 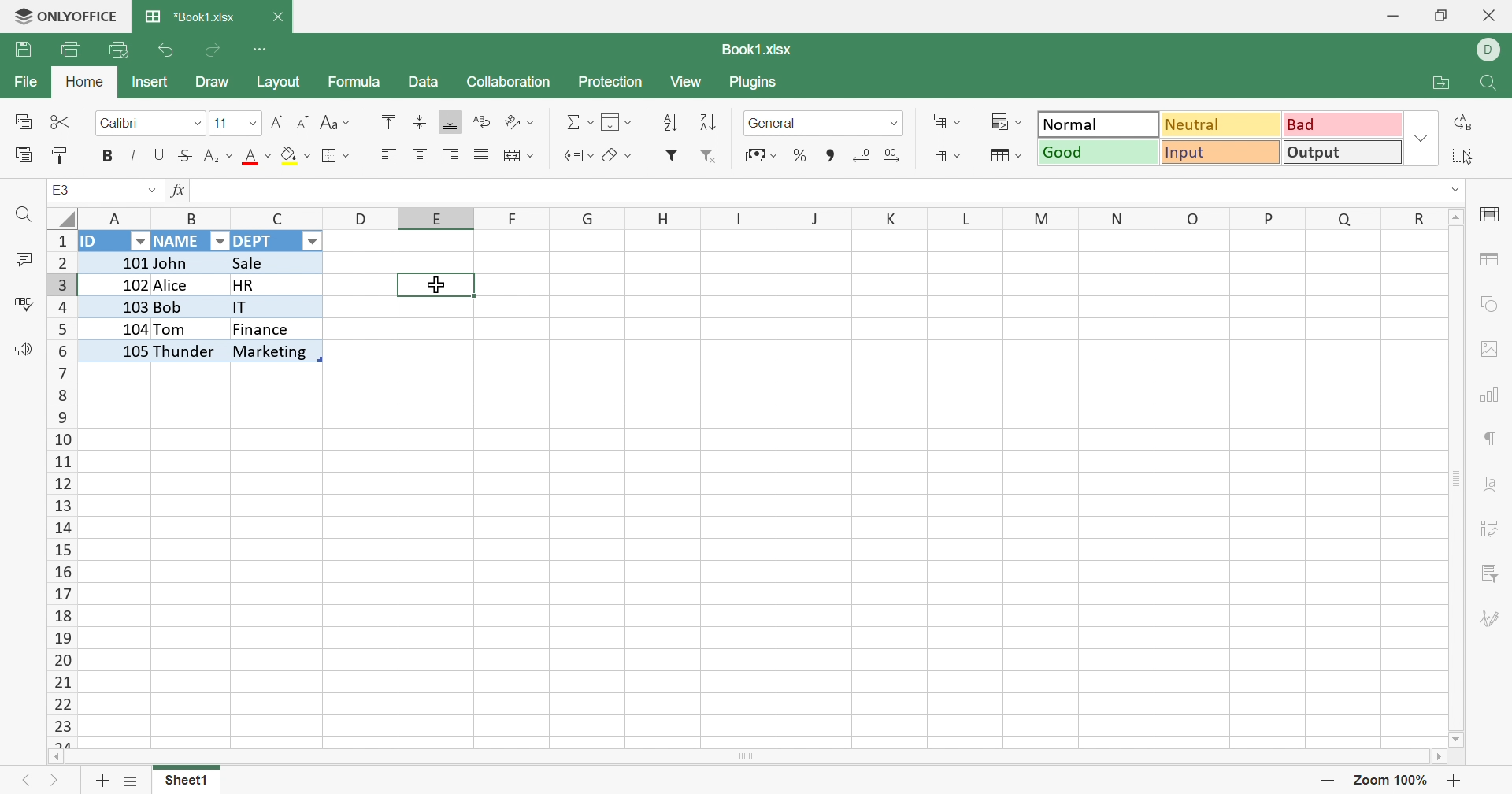 What do you see at coordinates (451, 155) in the screenshot?
I see `Align Right` at bounding box center [451, 155].